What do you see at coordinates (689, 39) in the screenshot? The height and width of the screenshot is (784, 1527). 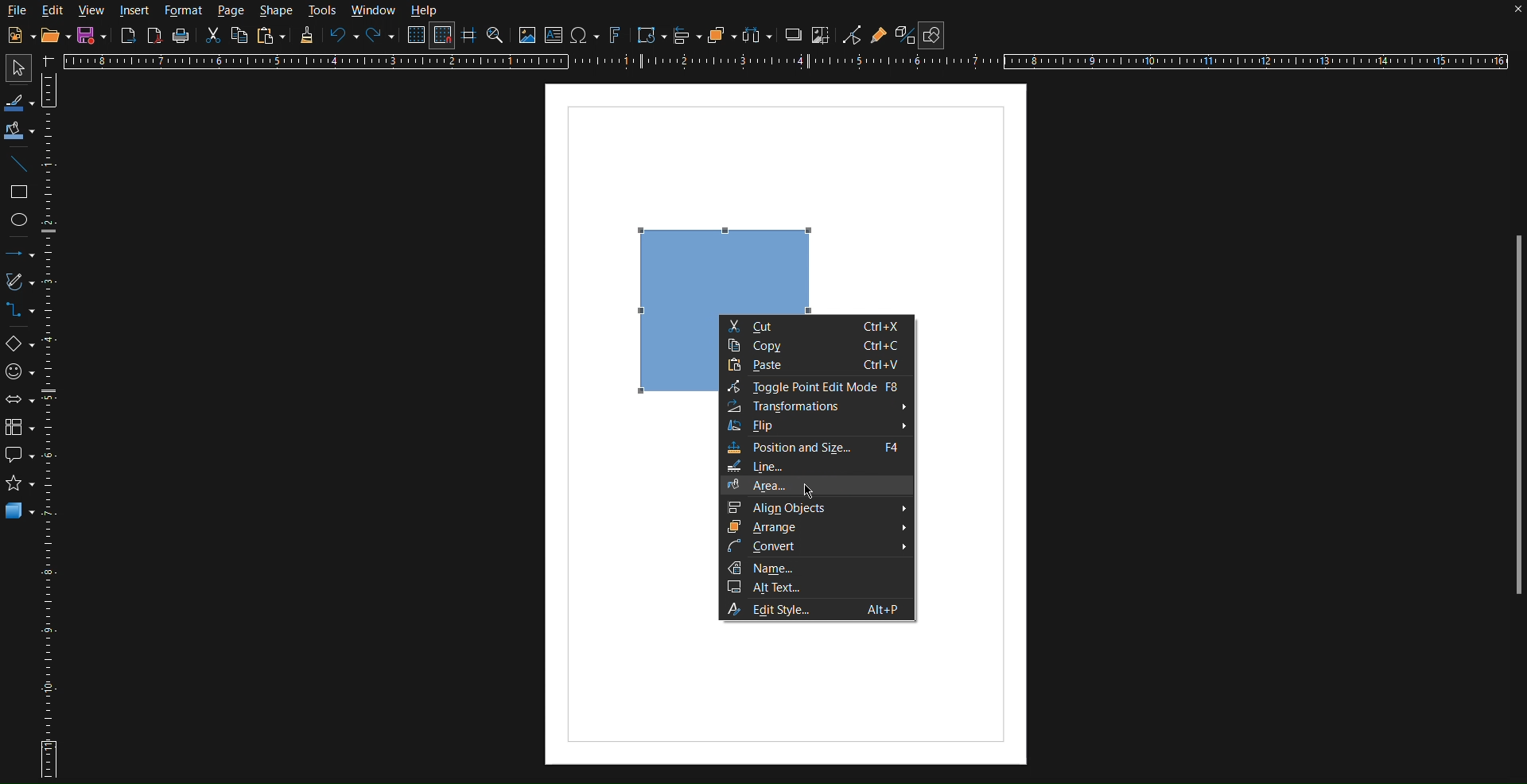 I see `Align Objects` at bounding box center [689, 39].